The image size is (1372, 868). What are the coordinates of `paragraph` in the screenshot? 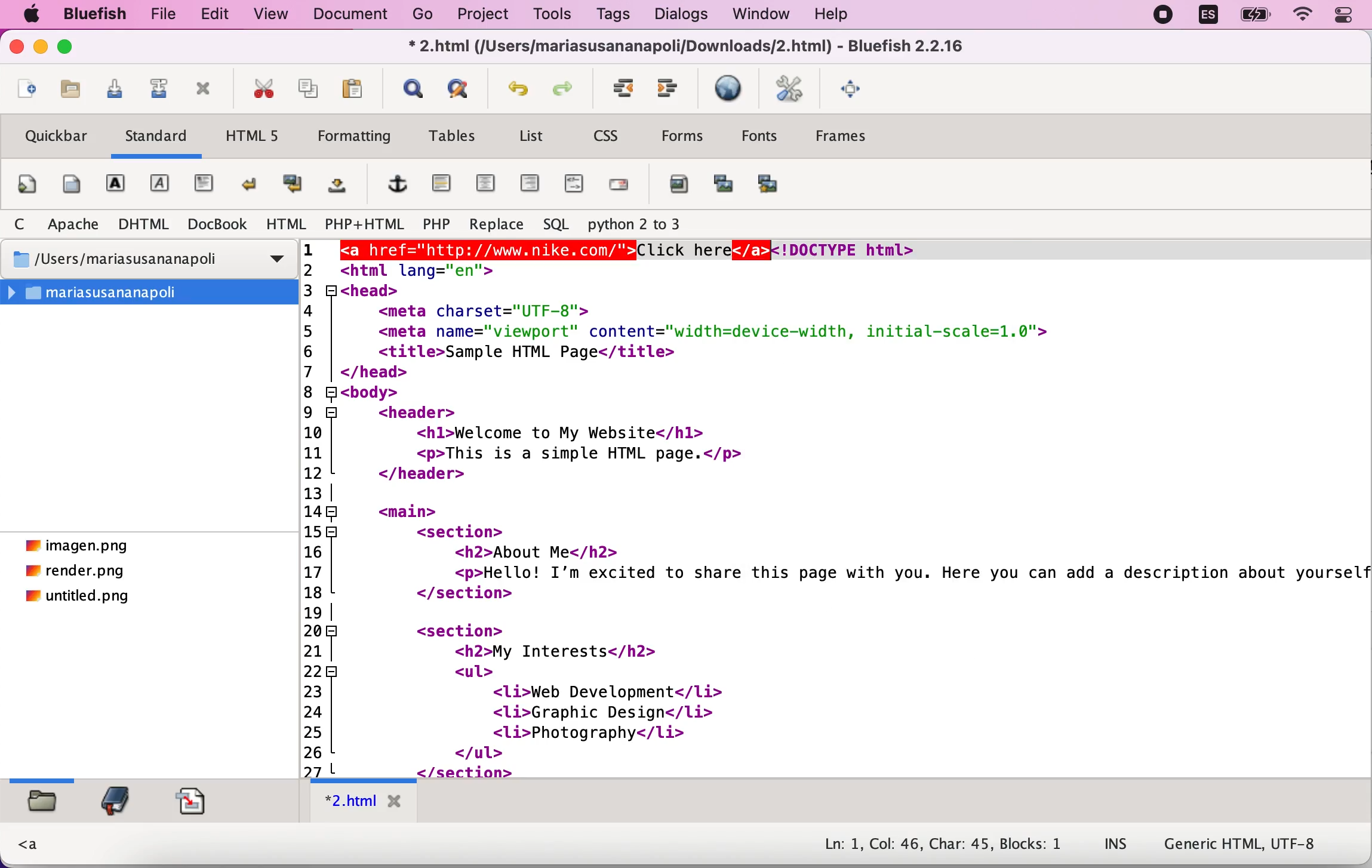 It's located at (205, 186).